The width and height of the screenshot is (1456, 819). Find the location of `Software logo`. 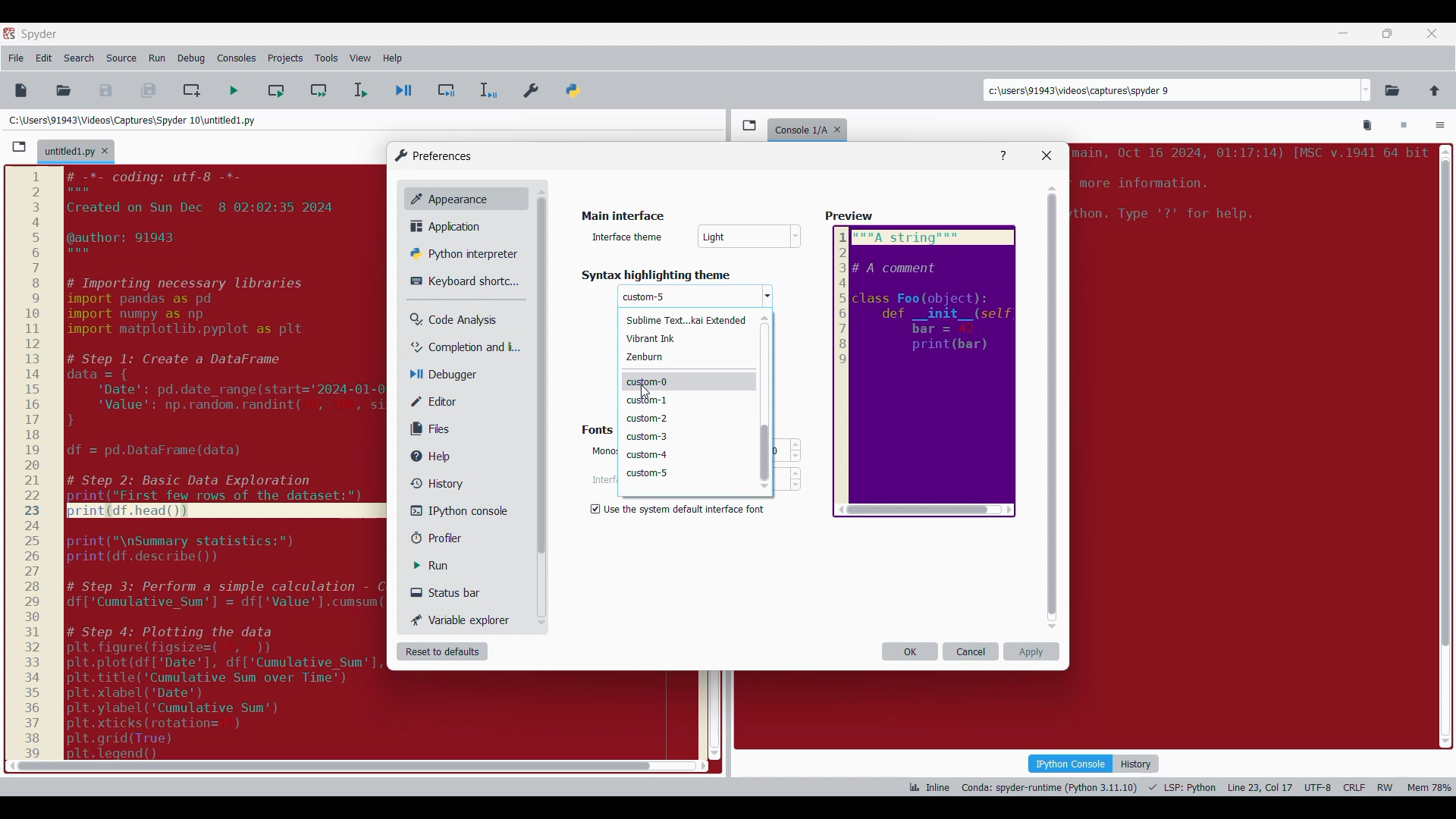

Software logo is located at coordinates (9, 33).